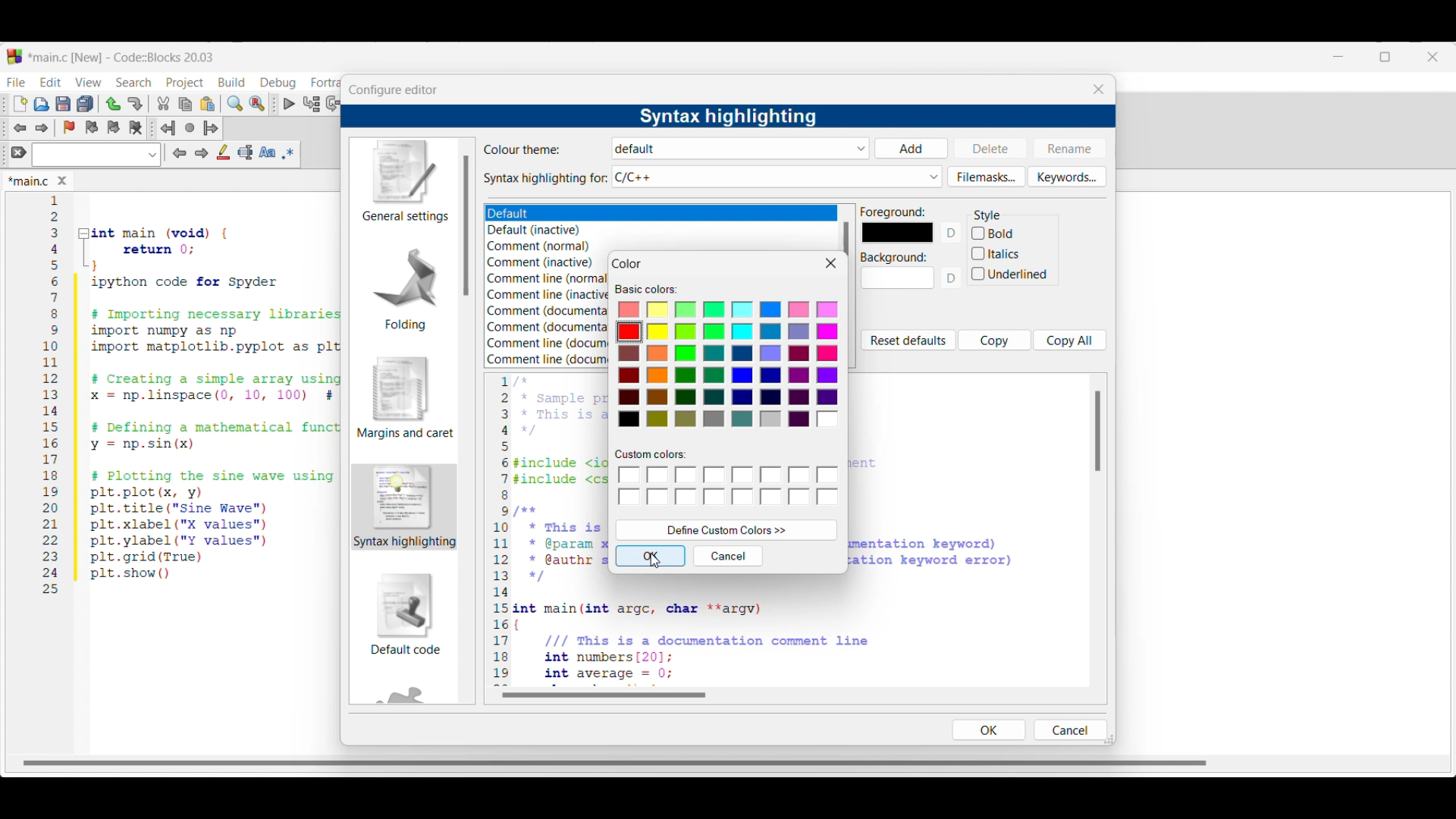 Image resolution: width=1456 pixels, height=819 pixels. What do you see at coordinates (231, 82) in the screenshot?
I see `Build menu` at bounding box center [231, 82].